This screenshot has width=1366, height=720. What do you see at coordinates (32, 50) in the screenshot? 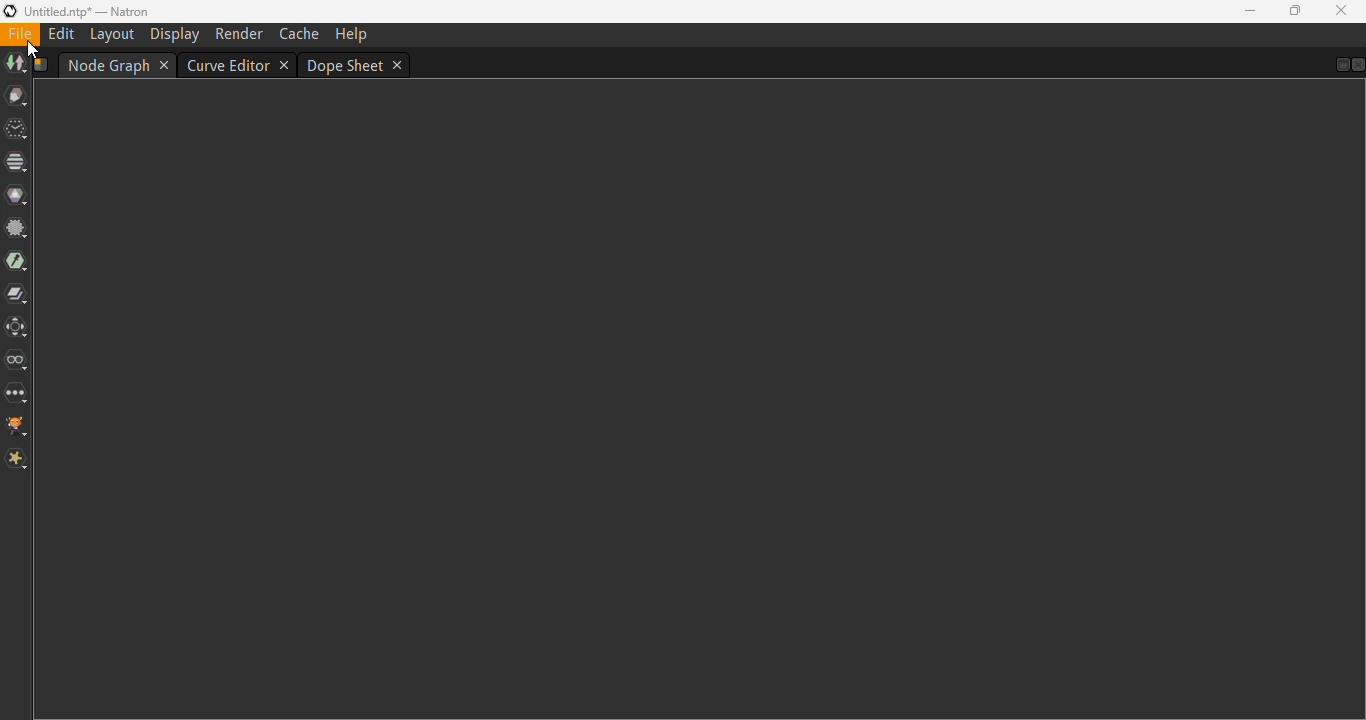
I see `cursor` at bounding box center [32, 50].